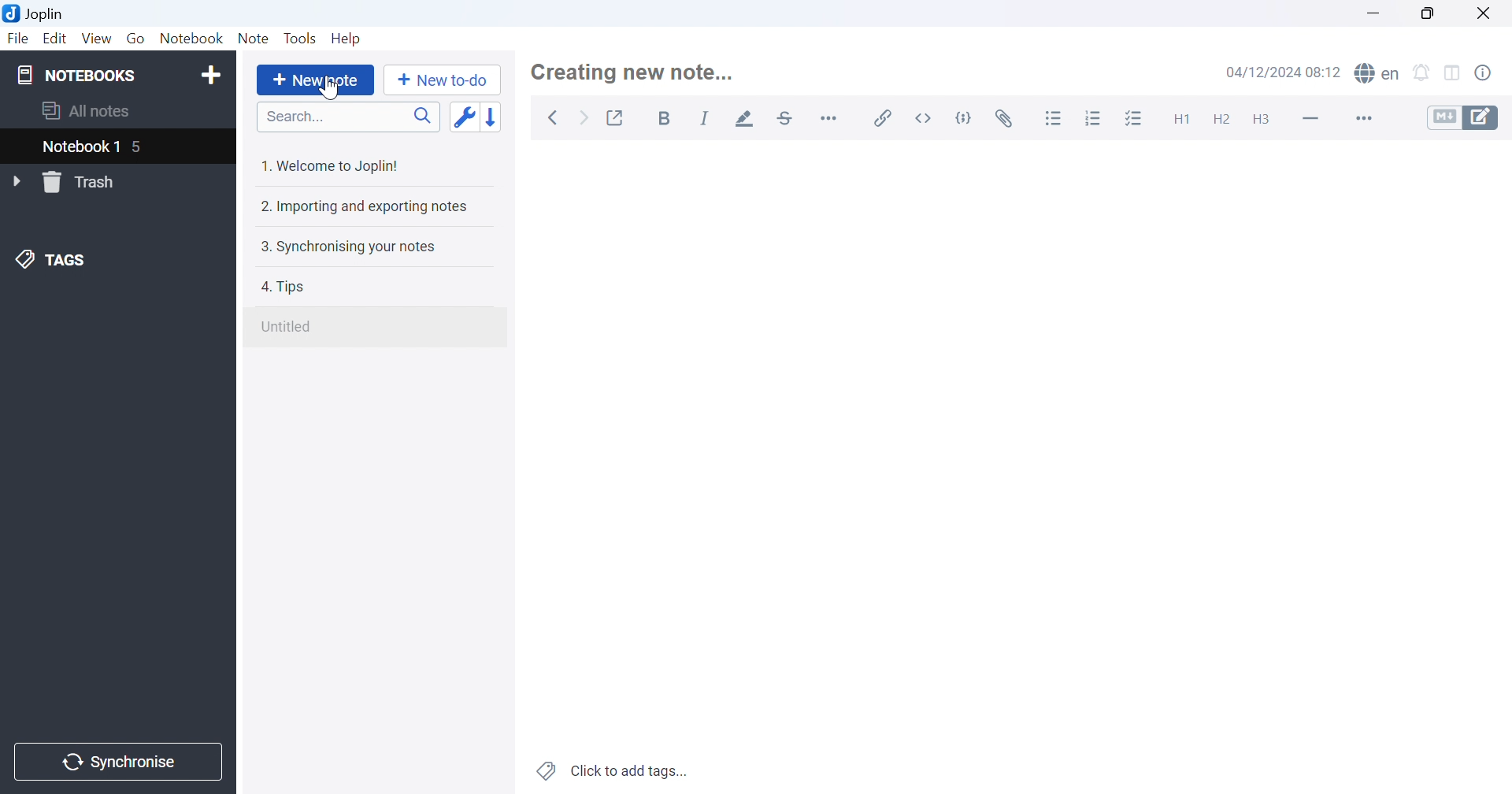 This screenshot has height=794, width=1512. Describe the element at coordinates (614, 772) in the screenshot. I see `click to add tags` at that location.